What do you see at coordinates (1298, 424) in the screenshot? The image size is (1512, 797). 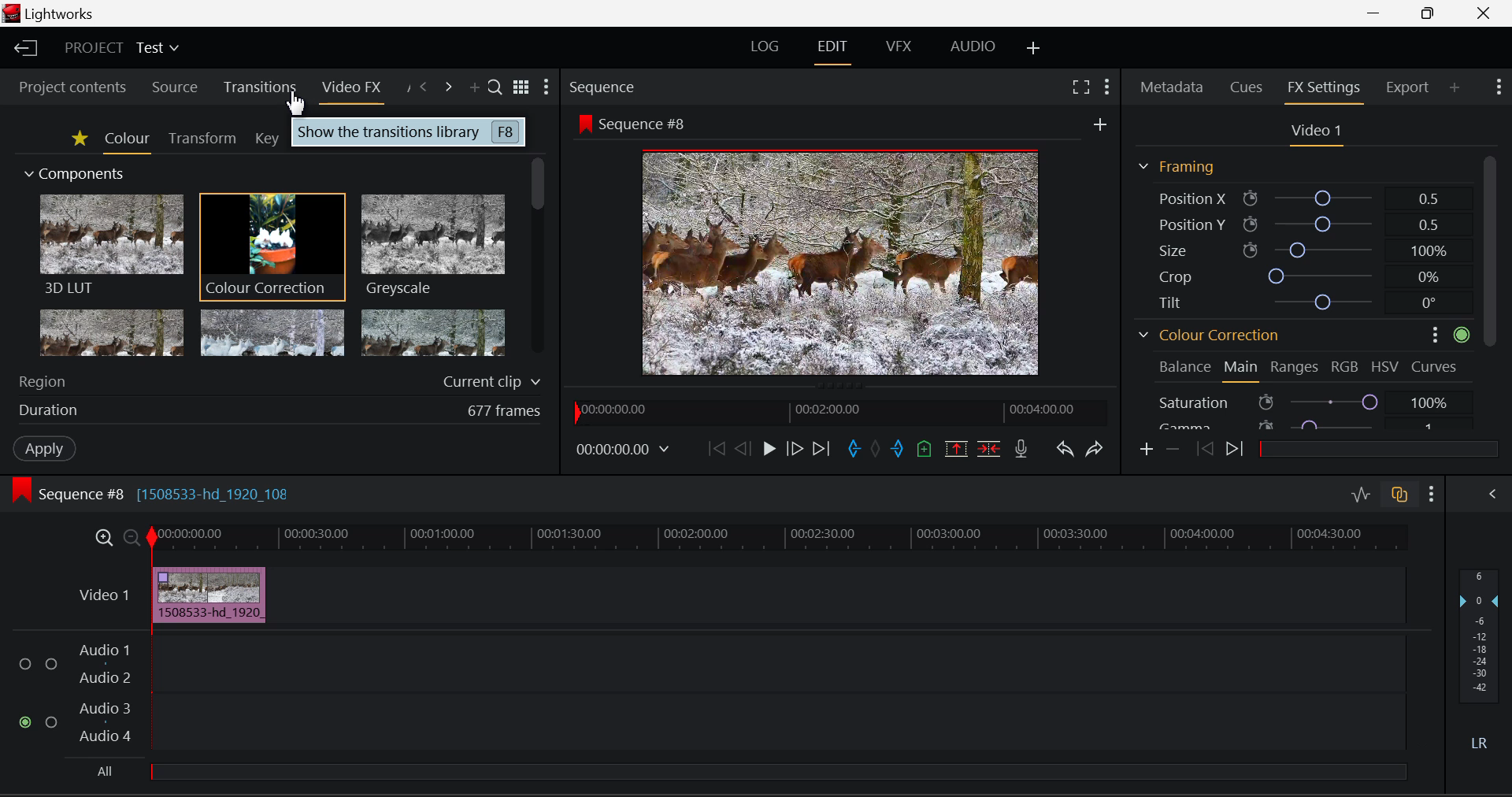 I see `Gamma` at bounding box center [1298, 424].